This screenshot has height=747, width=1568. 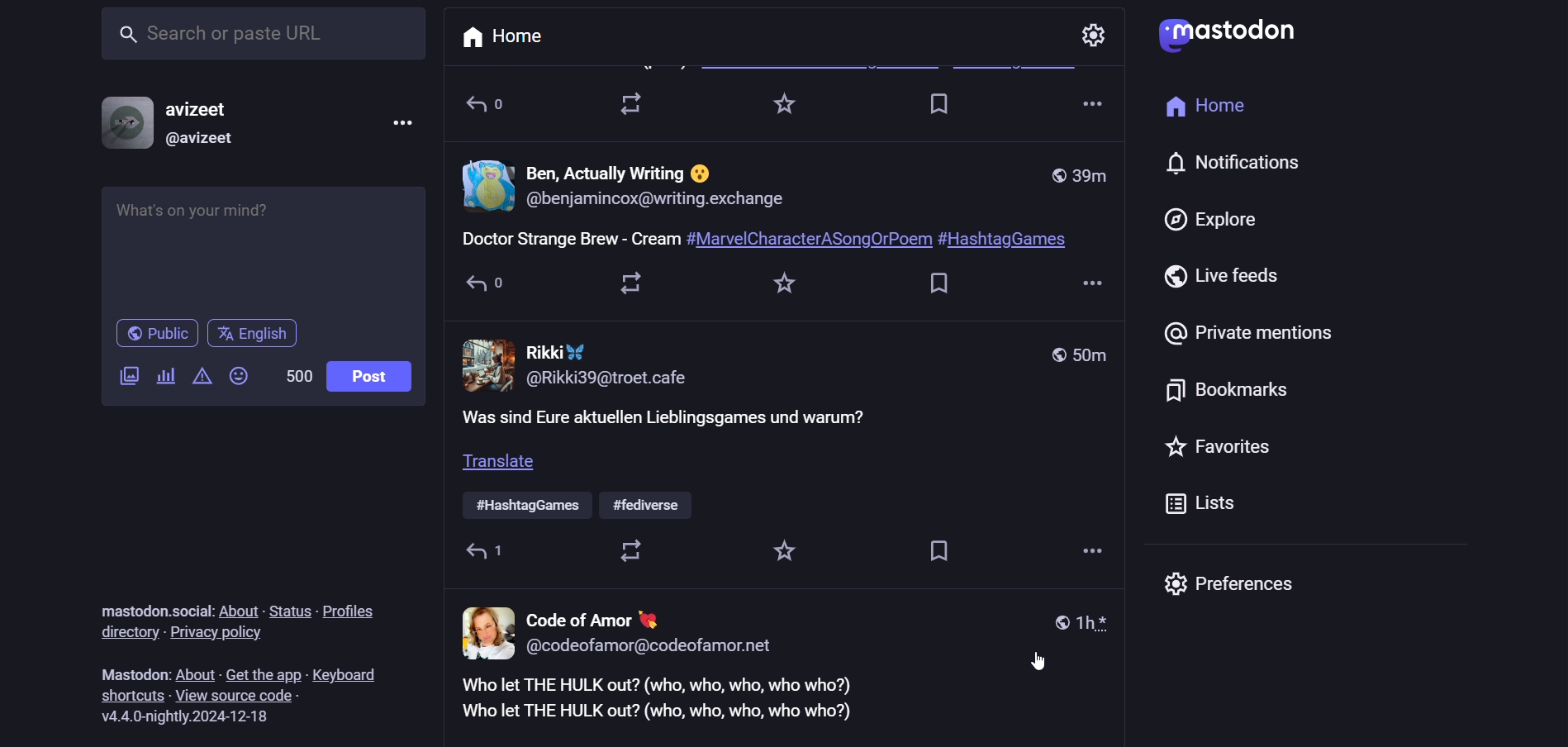 I want to click on preferences, so click(x=1236, y=588).